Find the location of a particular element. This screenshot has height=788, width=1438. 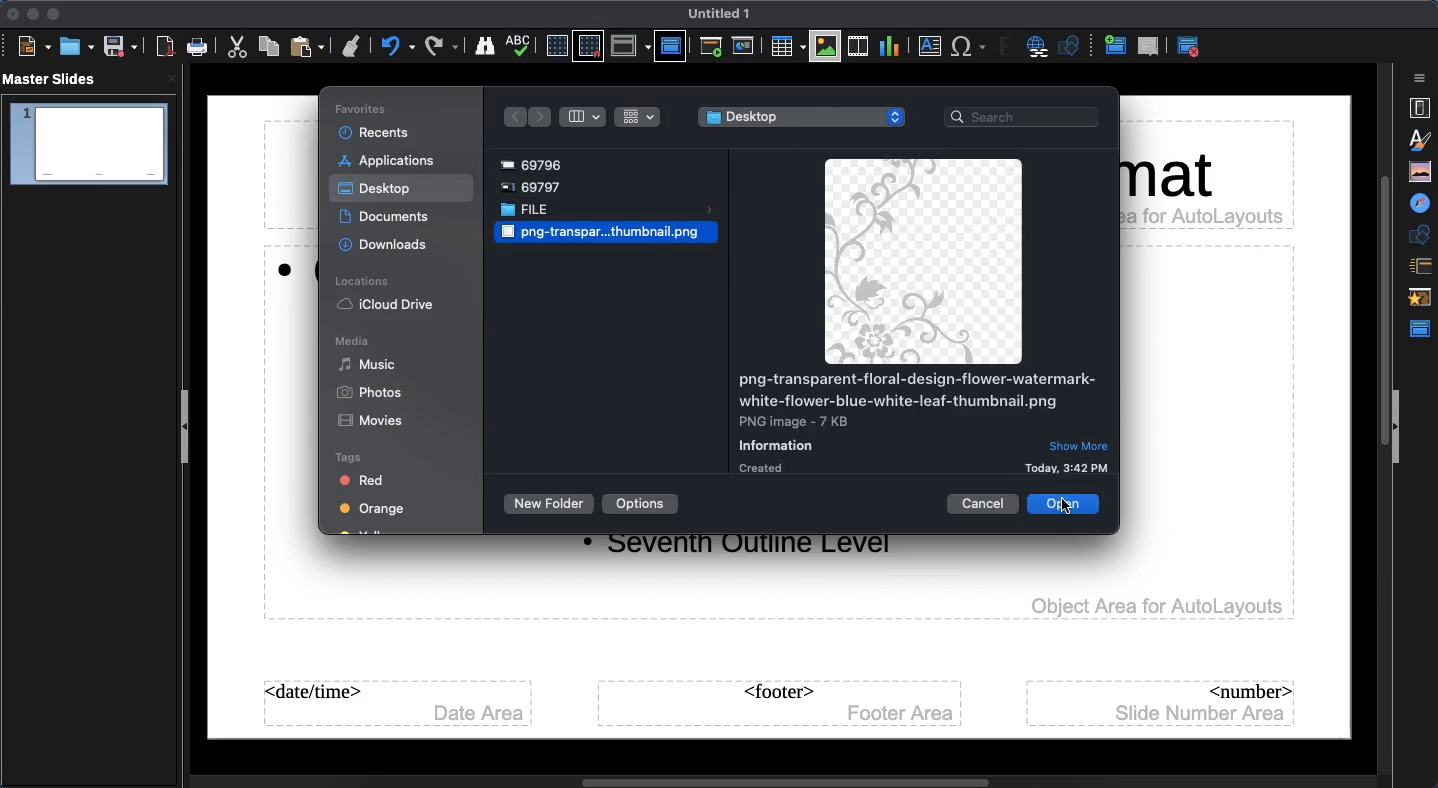

Master slide footer is located at coordinates (778, 704).